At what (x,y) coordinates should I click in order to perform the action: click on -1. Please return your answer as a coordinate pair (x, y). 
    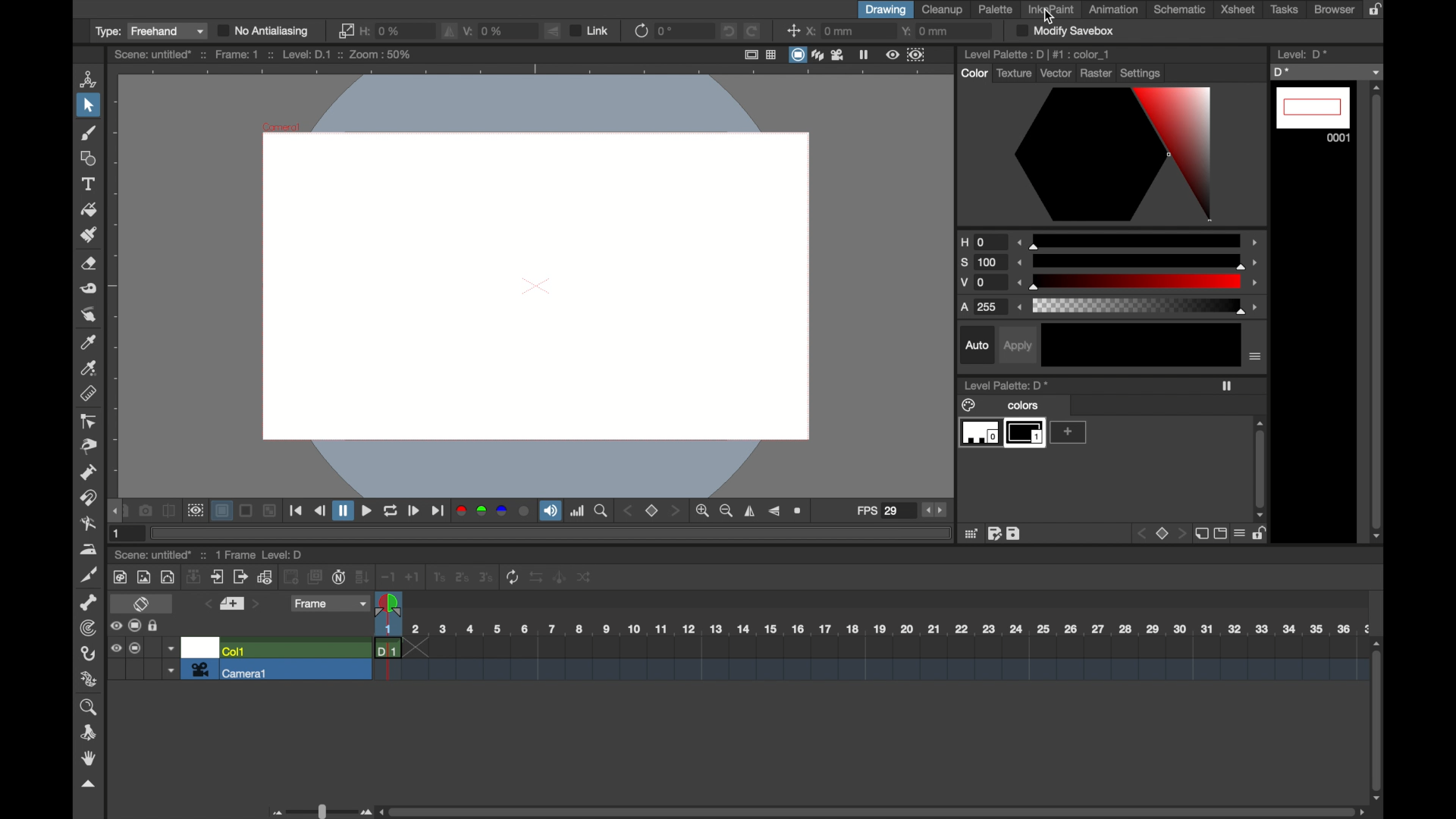
    Looking at the image, I should click on (388, 578).